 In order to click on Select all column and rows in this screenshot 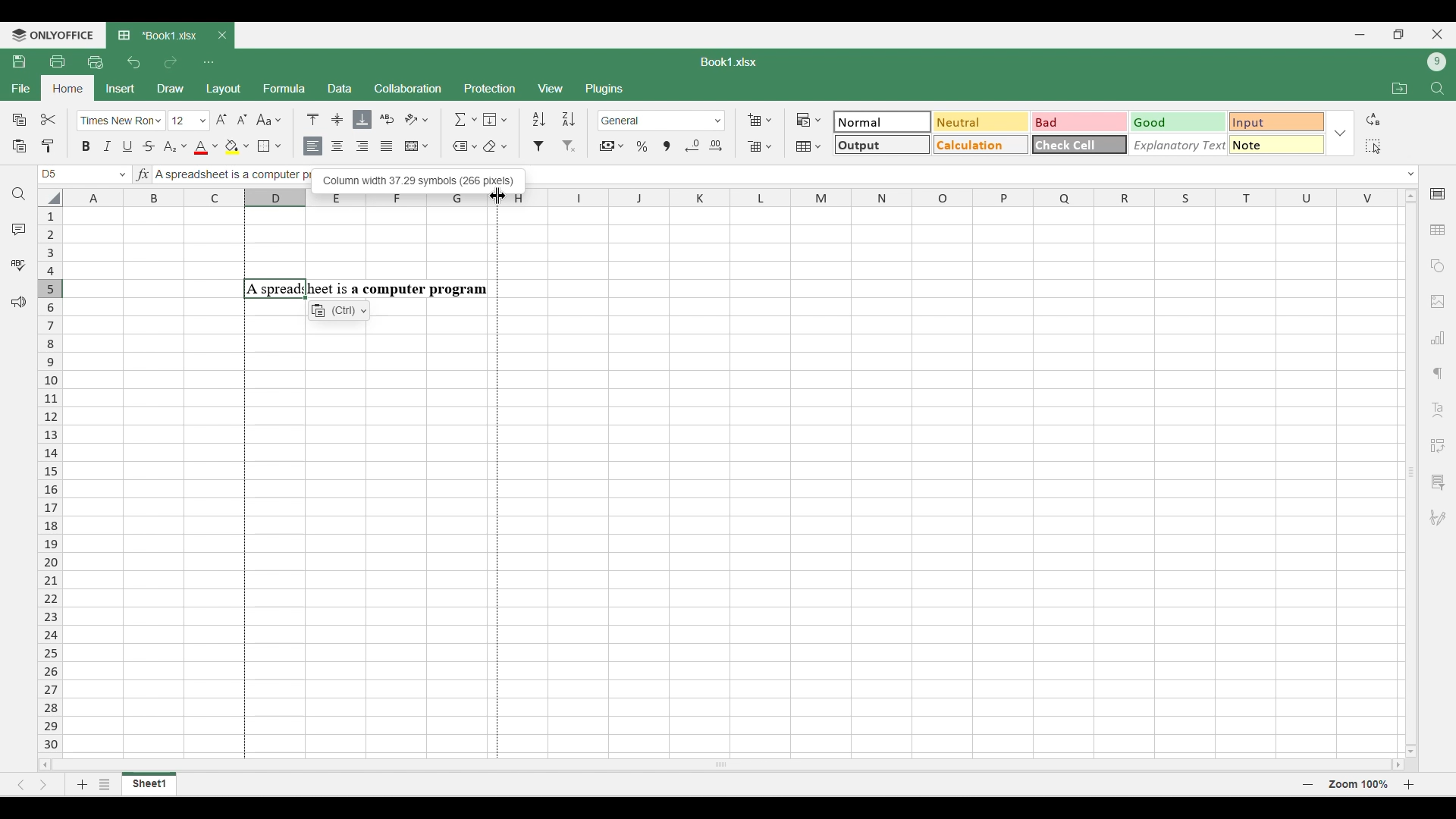, I will do `click(50, 198)`.